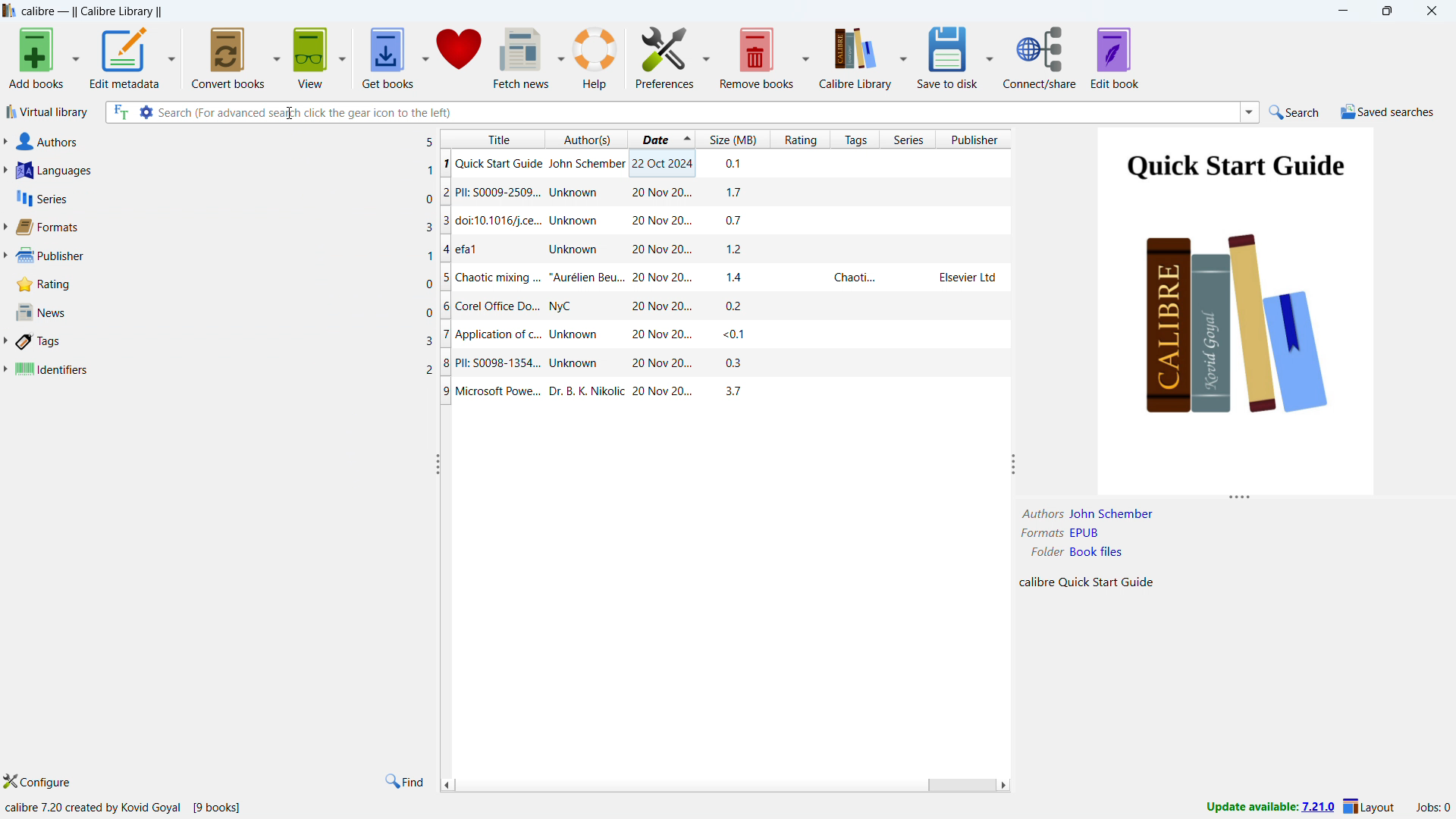  I want to click on sort by title, so click(494, 137).